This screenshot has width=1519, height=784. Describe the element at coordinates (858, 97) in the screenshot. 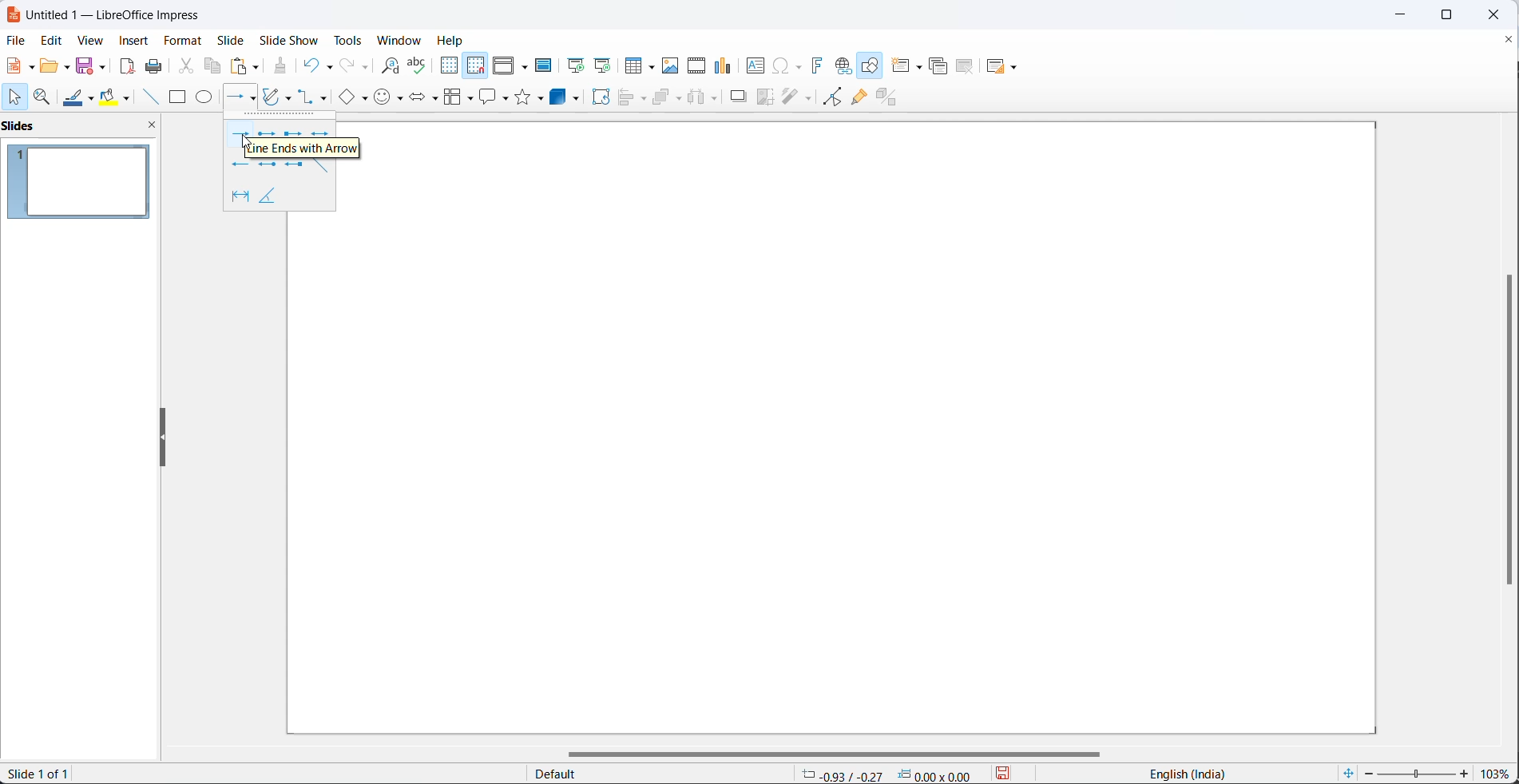

I see `show gluepoint function` at that location.